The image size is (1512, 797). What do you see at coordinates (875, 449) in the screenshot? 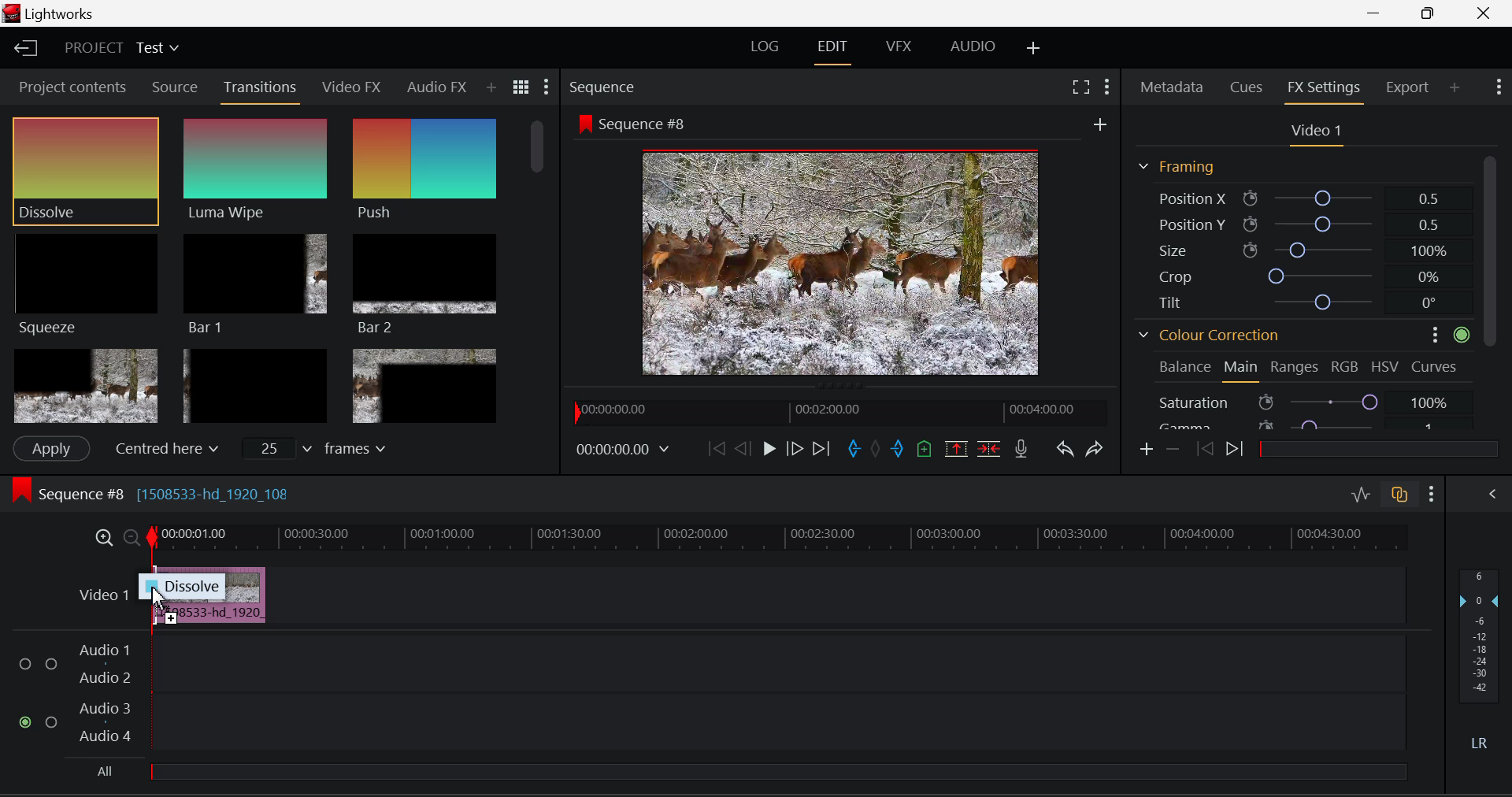
I see `Remove all marks` at bounding box center [875, 449].